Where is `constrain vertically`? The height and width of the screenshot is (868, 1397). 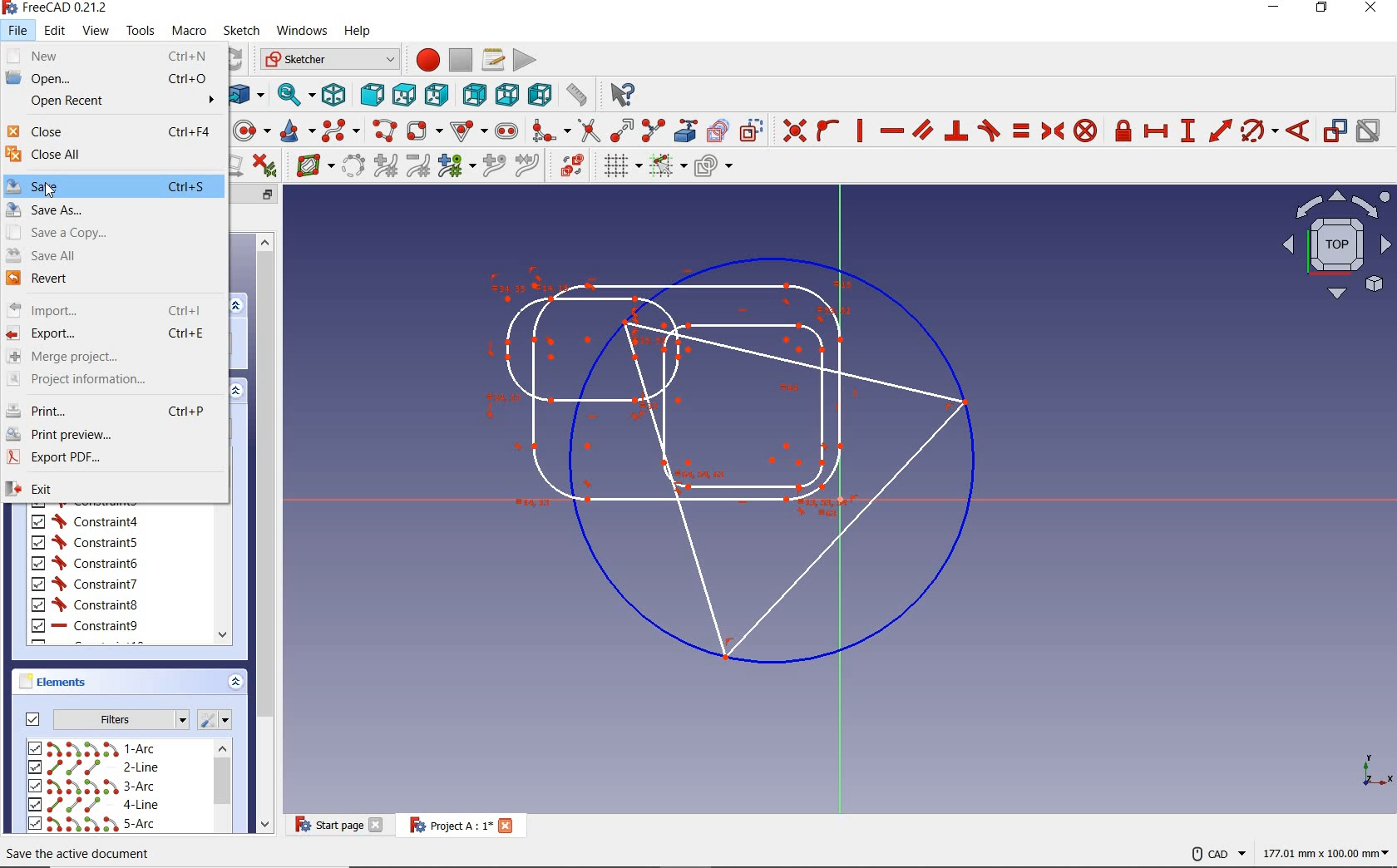
constrain vertically is located at coordinates (861, 131).